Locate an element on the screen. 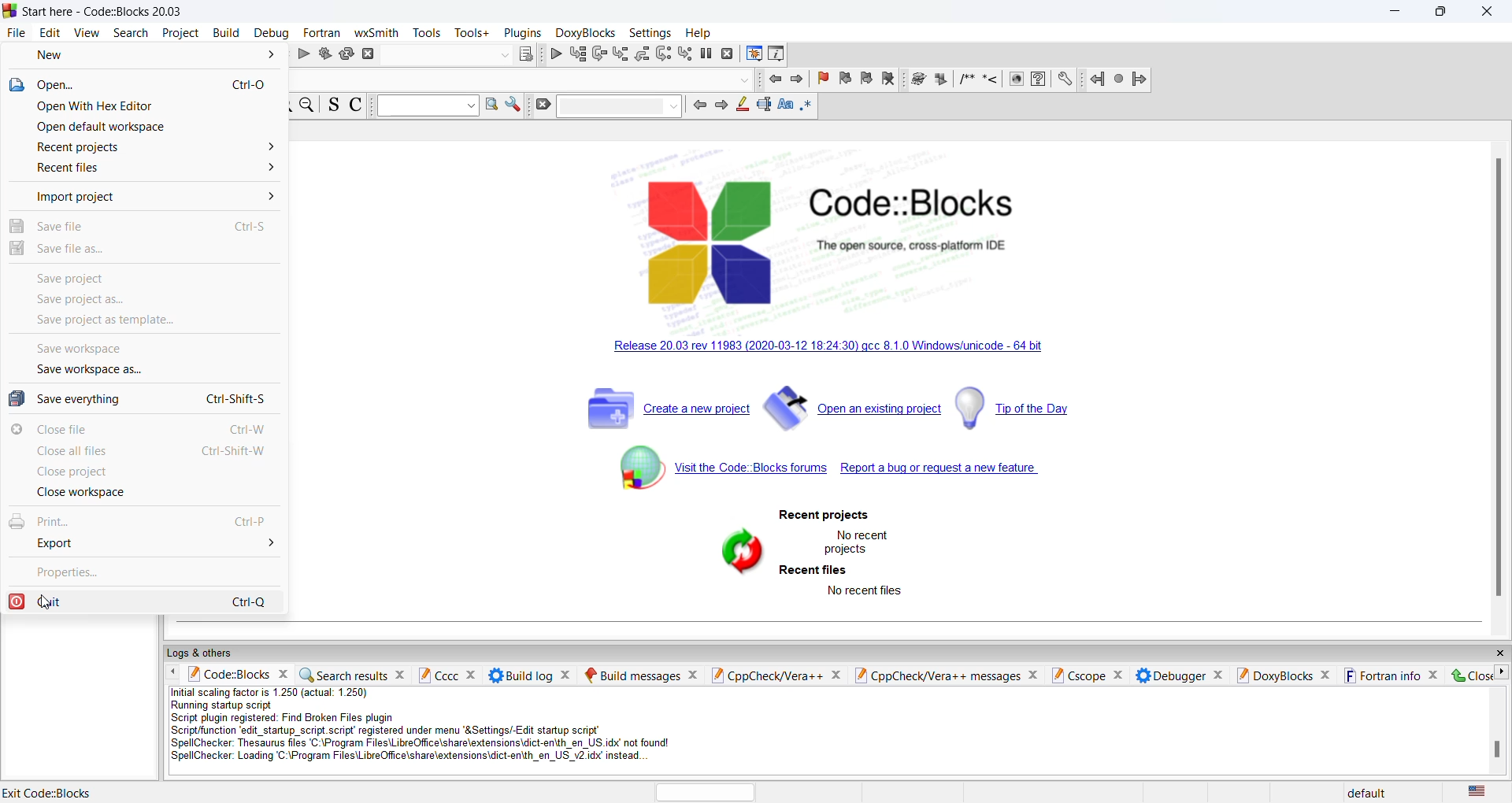 The width and height of the screenshot is (1512, 803). save everything is located at coordinates (141, 400).